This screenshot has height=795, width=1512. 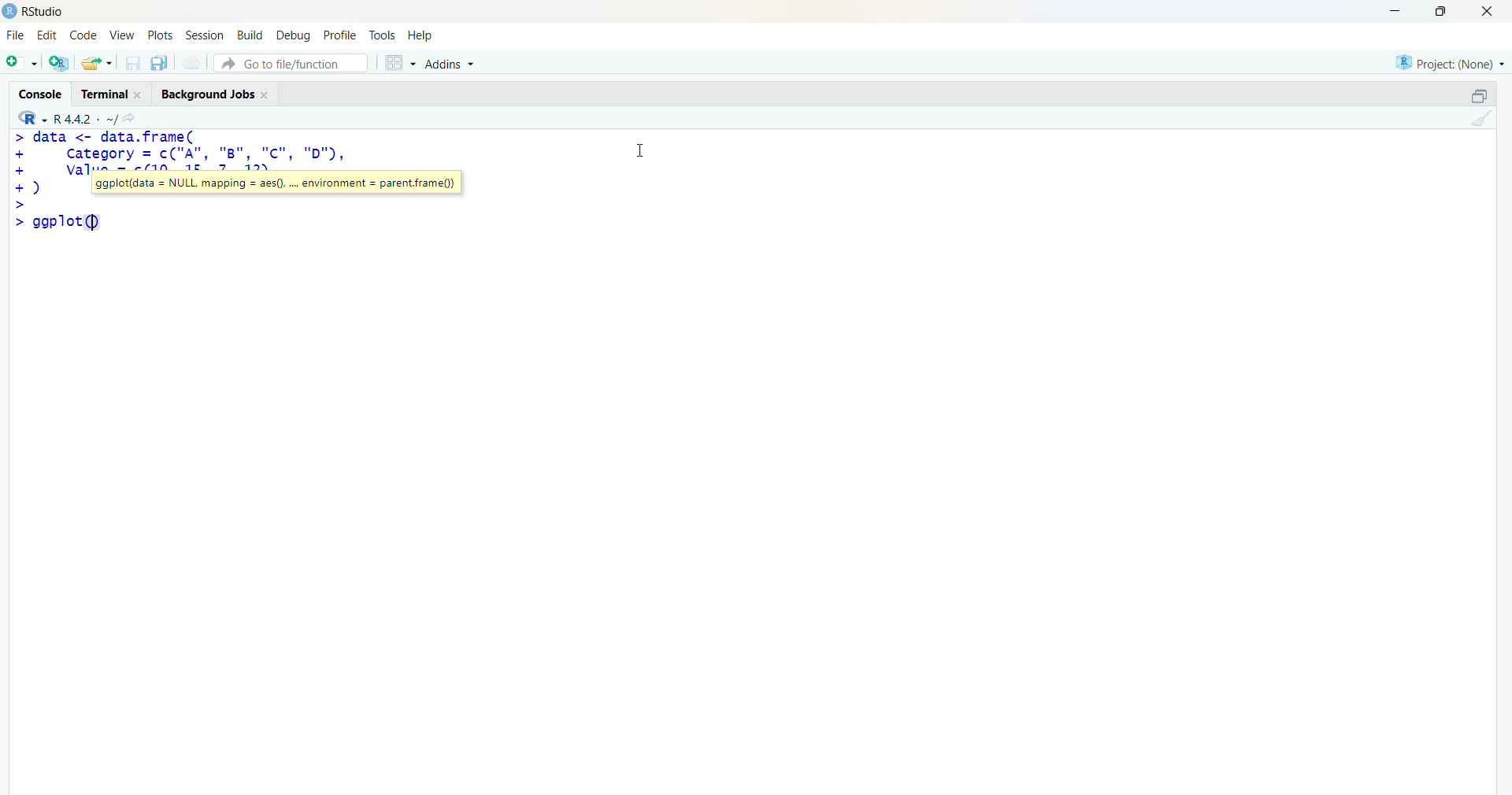 I want to click on Addins, so click(x=453, y=65).